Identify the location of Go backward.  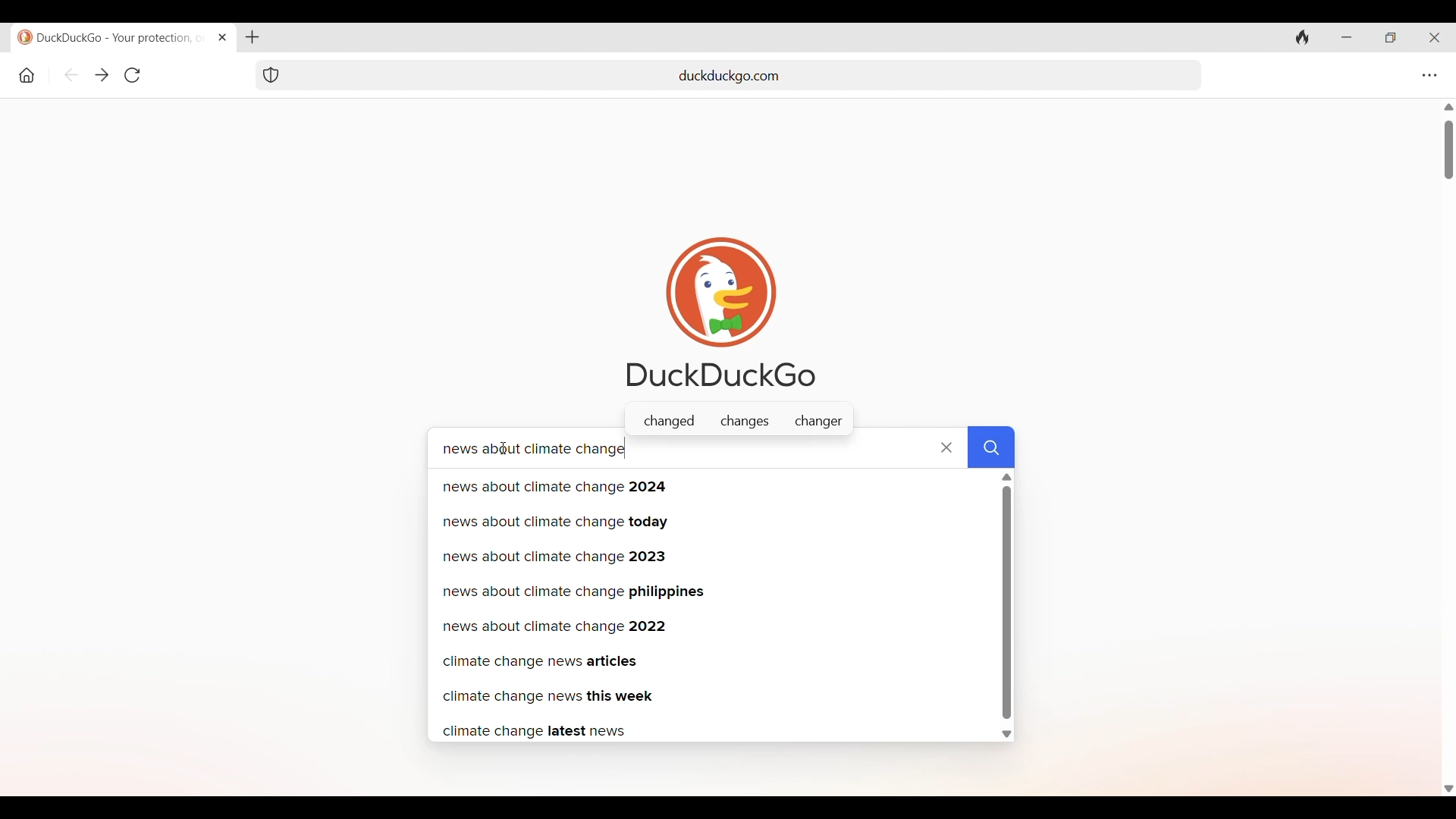
(71, 74).